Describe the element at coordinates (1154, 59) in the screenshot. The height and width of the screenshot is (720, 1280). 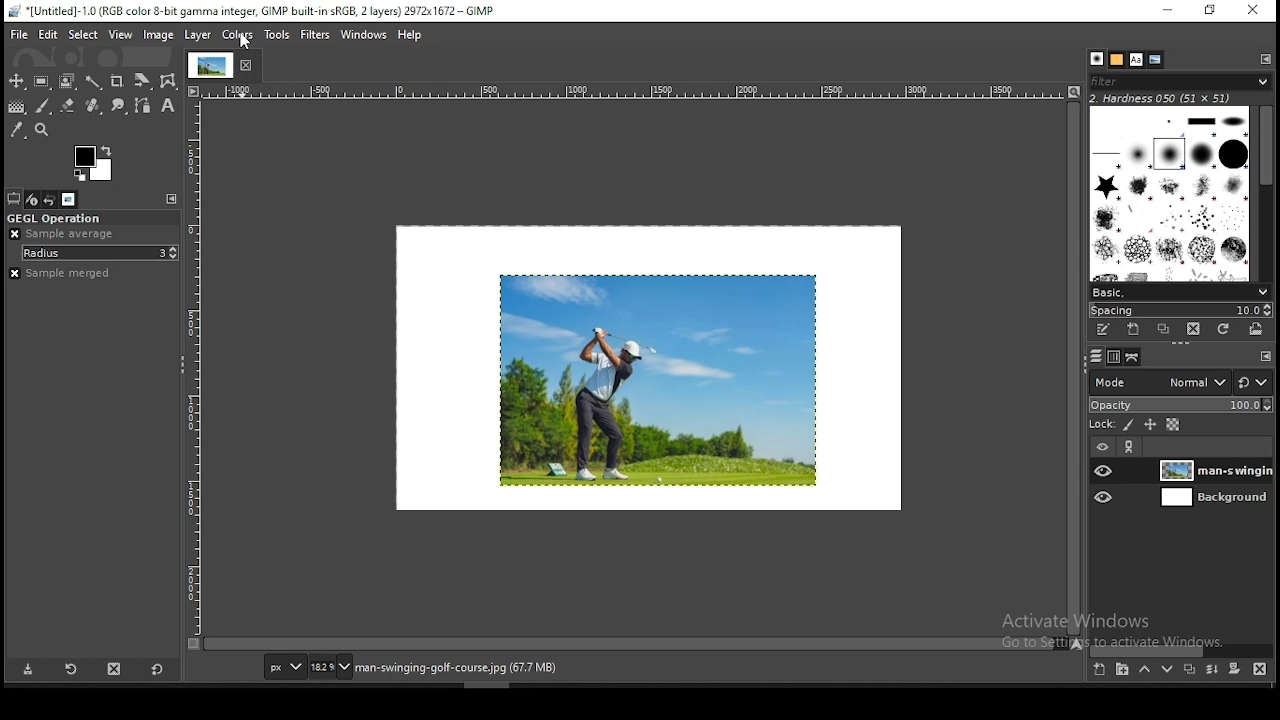
I see `document history` at that location.